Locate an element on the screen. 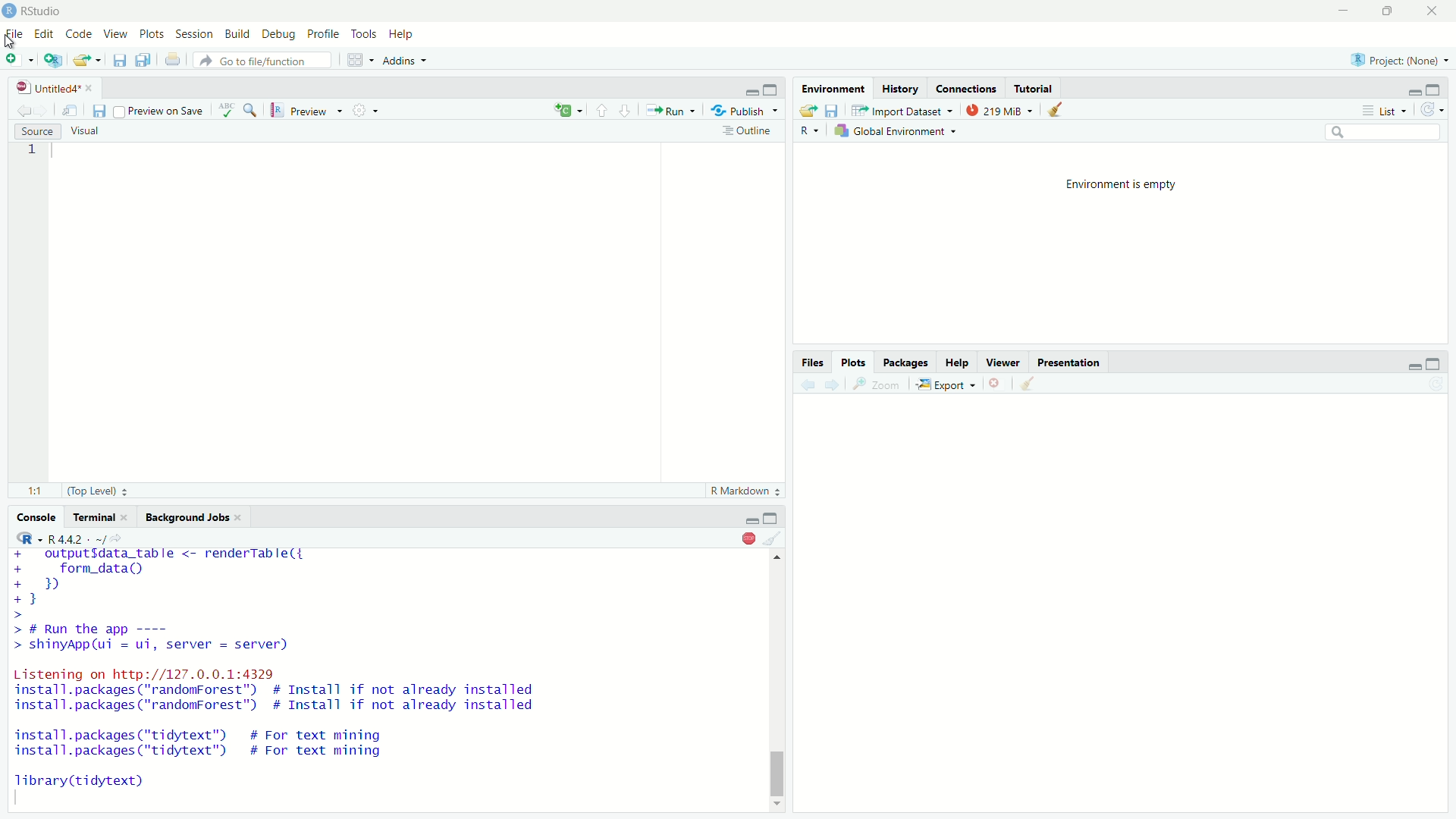 The image size is (1456, 819). presentation is located at coordinates (1070, 362).